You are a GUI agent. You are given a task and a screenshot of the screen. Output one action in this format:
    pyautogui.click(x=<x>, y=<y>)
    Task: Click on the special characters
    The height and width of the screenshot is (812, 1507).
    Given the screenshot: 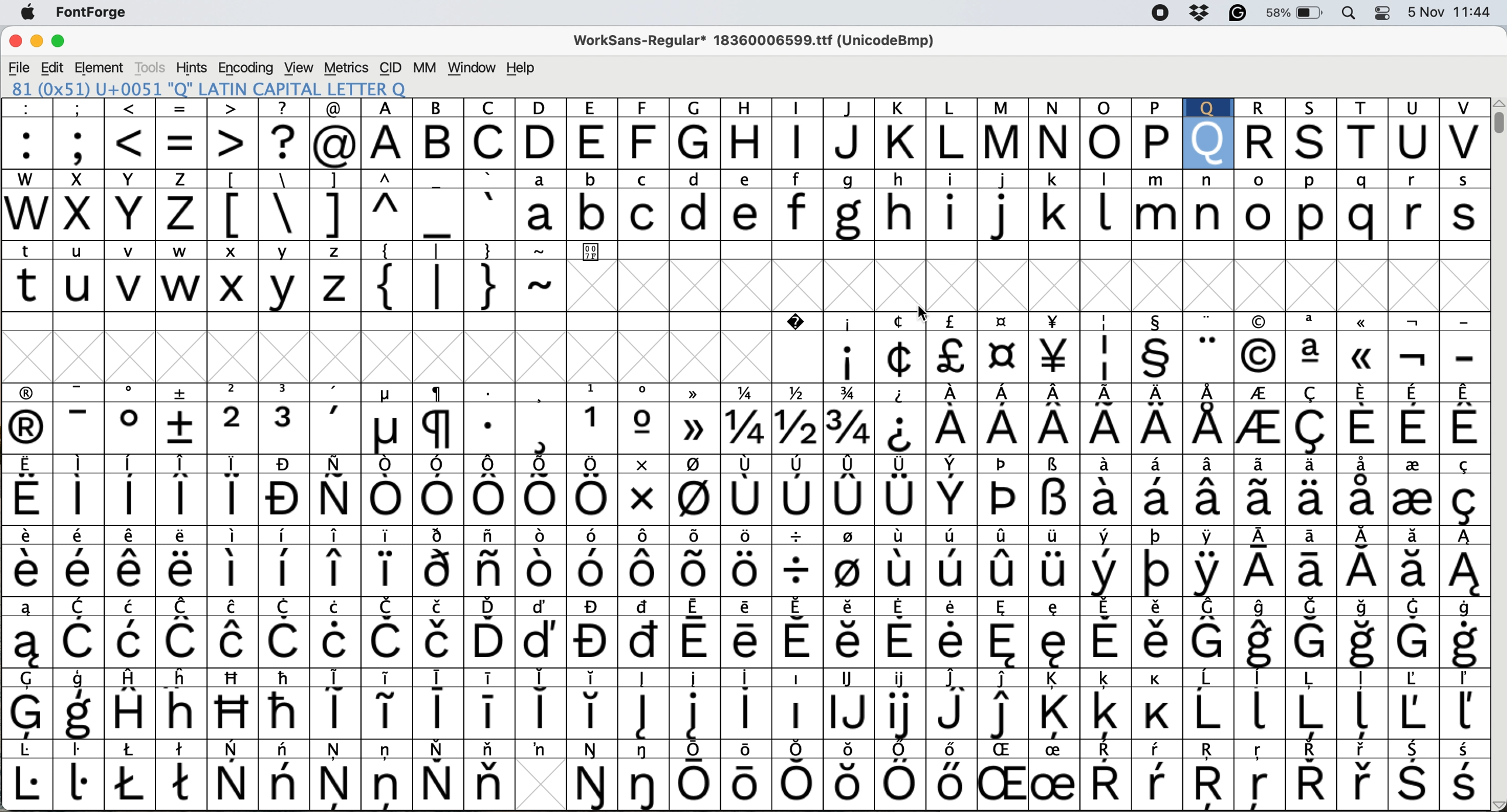 What is the action you would take?
    pyautogui.click(x=358, y=215)
    